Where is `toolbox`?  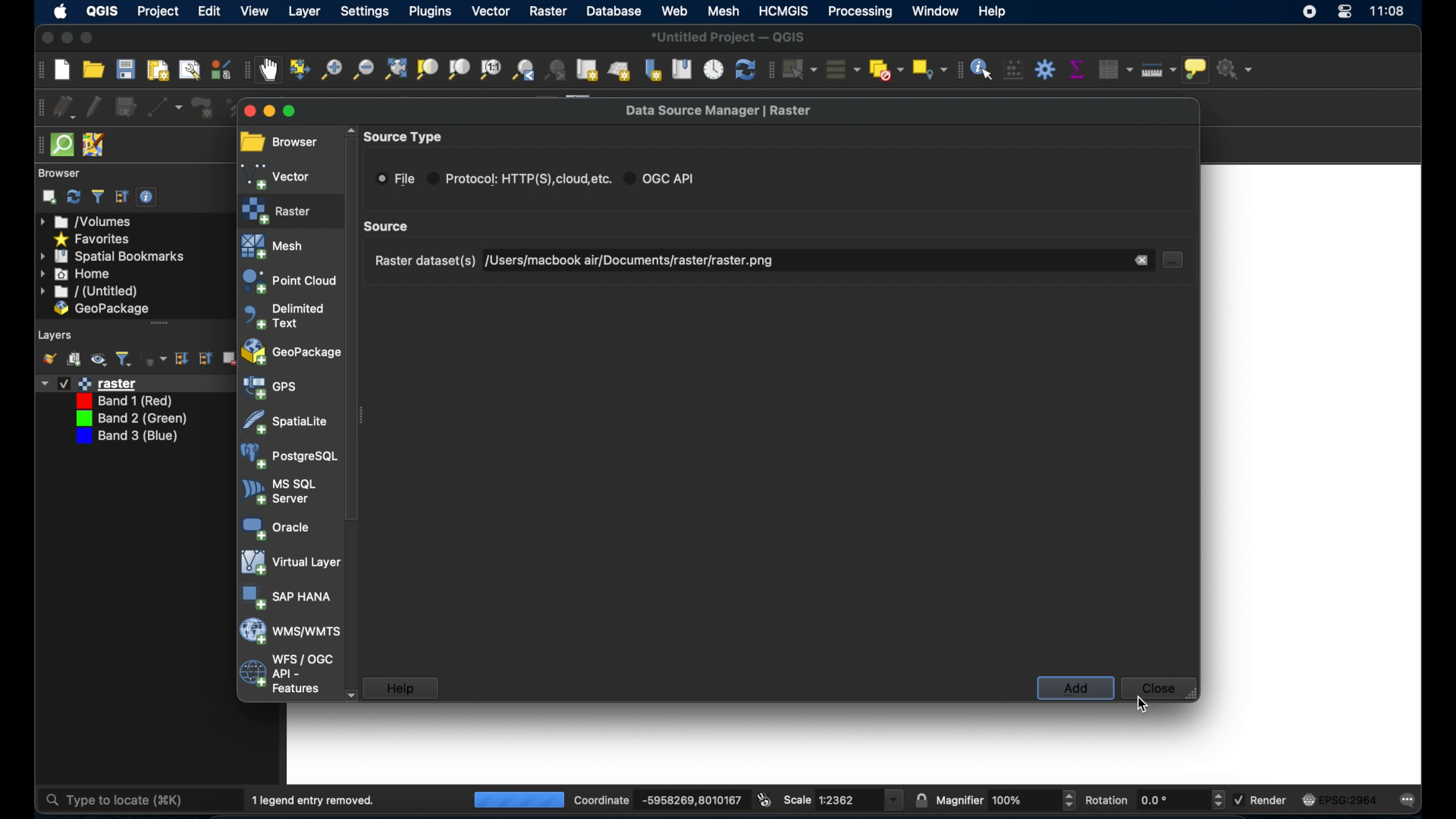
toolbox is located at coordinates (1046, 69).